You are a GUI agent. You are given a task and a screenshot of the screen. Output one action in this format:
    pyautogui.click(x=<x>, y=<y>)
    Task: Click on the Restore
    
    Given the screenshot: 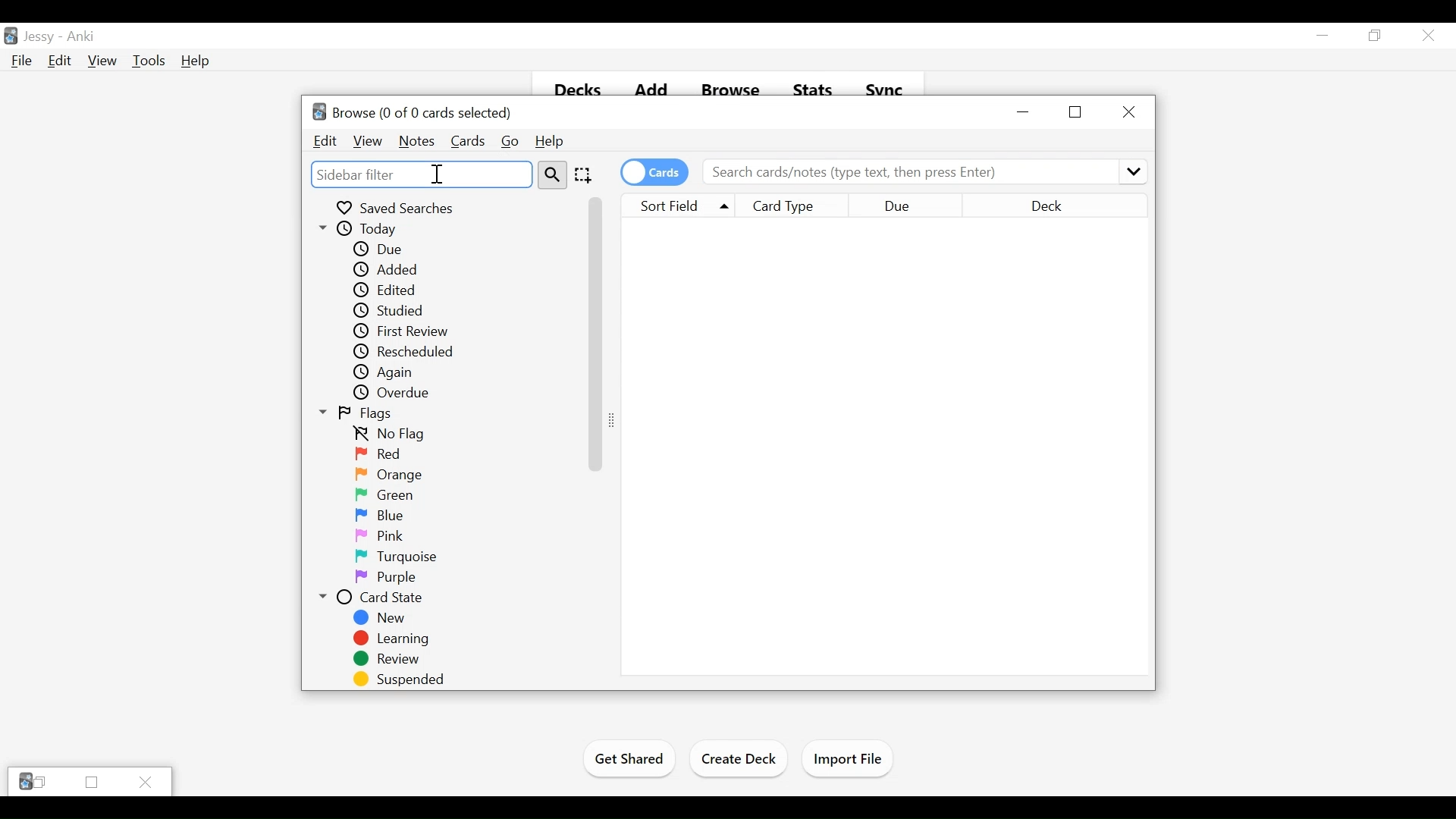 What is the action you would take?
    pyautogui.click(x=90, y=783)
    